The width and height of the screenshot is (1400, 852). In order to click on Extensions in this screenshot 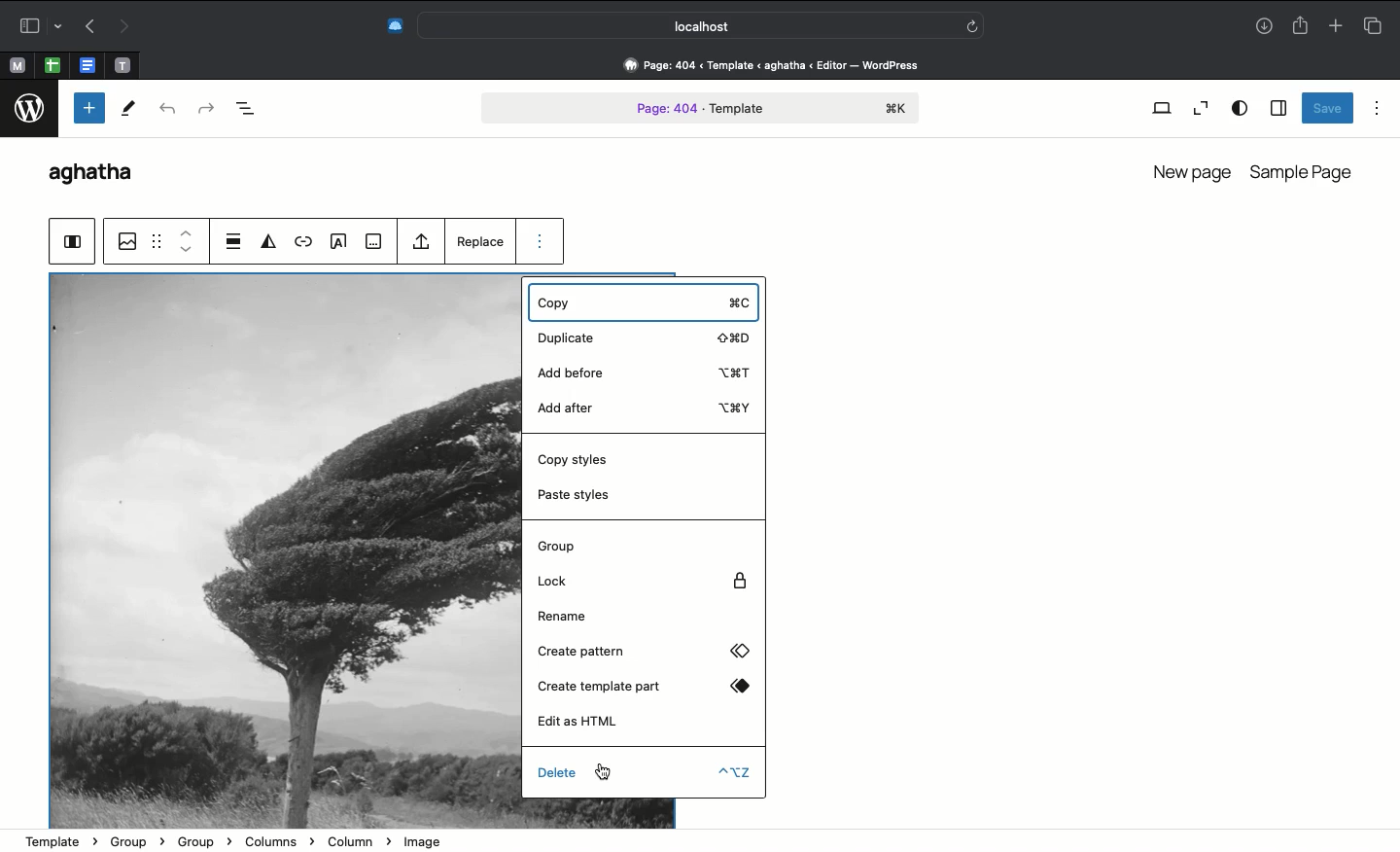, I will do `click(393, 27)`.